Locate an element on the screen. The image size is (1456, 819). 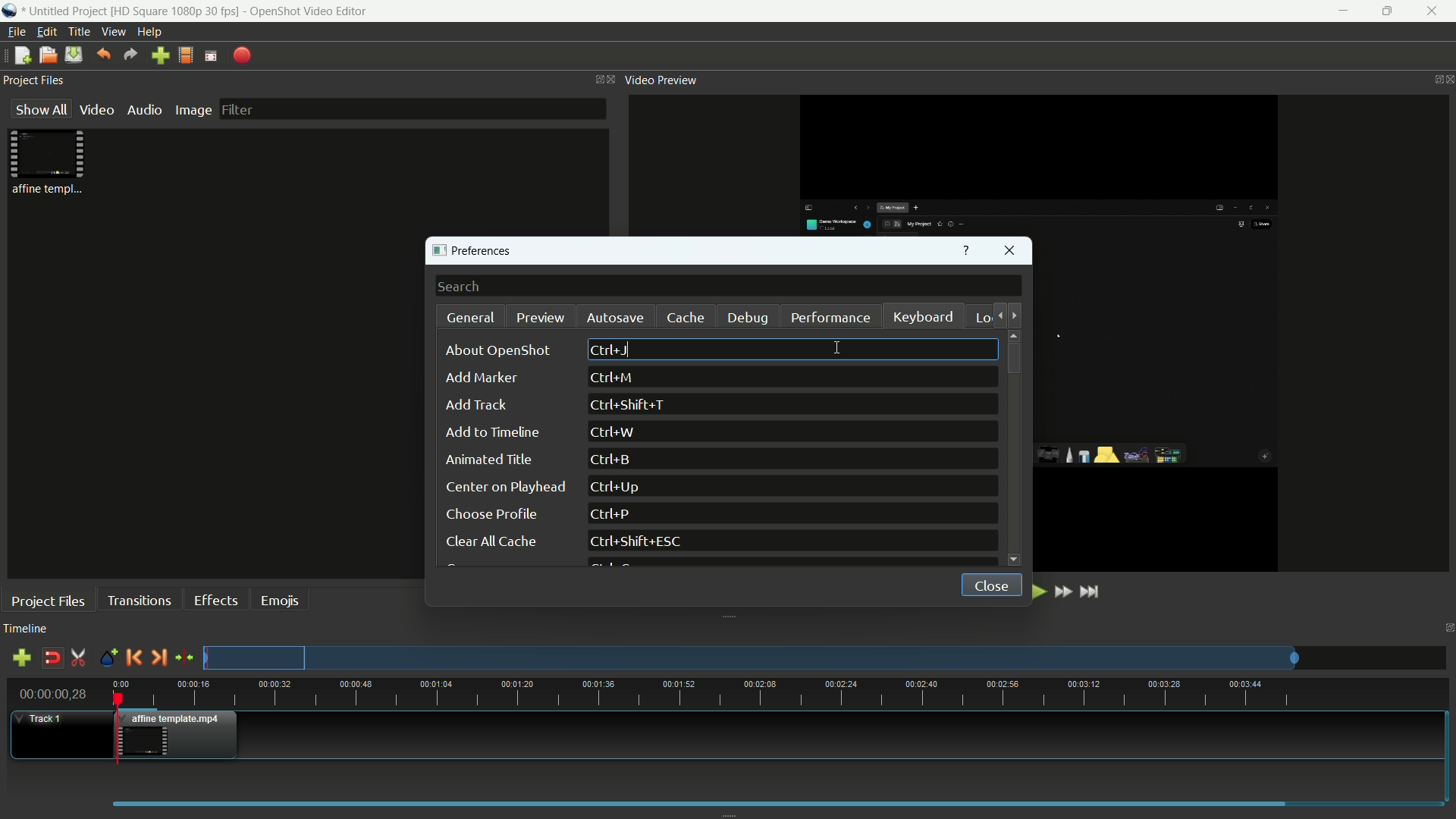
preview is located at coordinates (541, 317).